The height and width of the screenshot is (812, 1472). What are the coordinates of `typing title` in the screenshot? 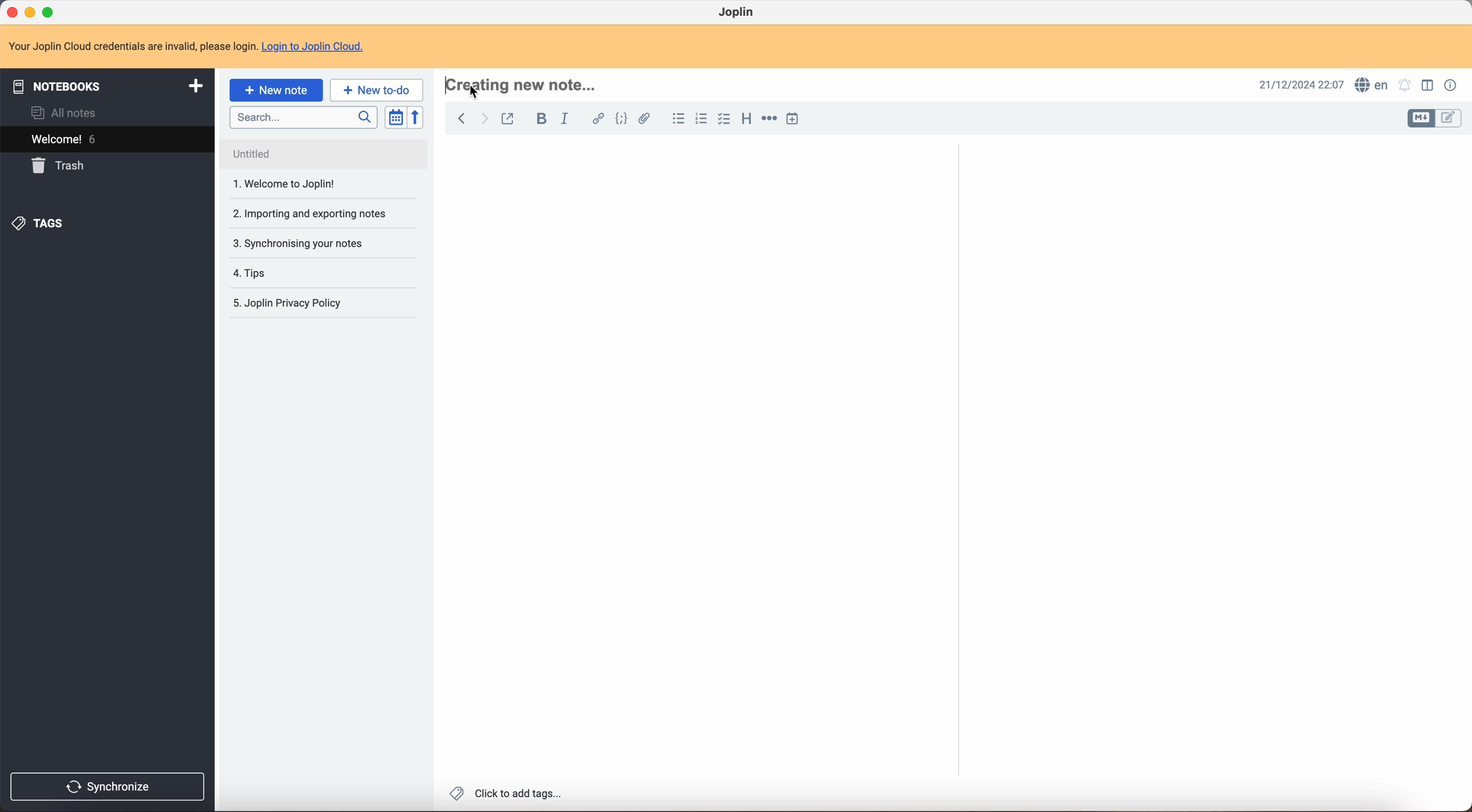 It's located at (526, 83).